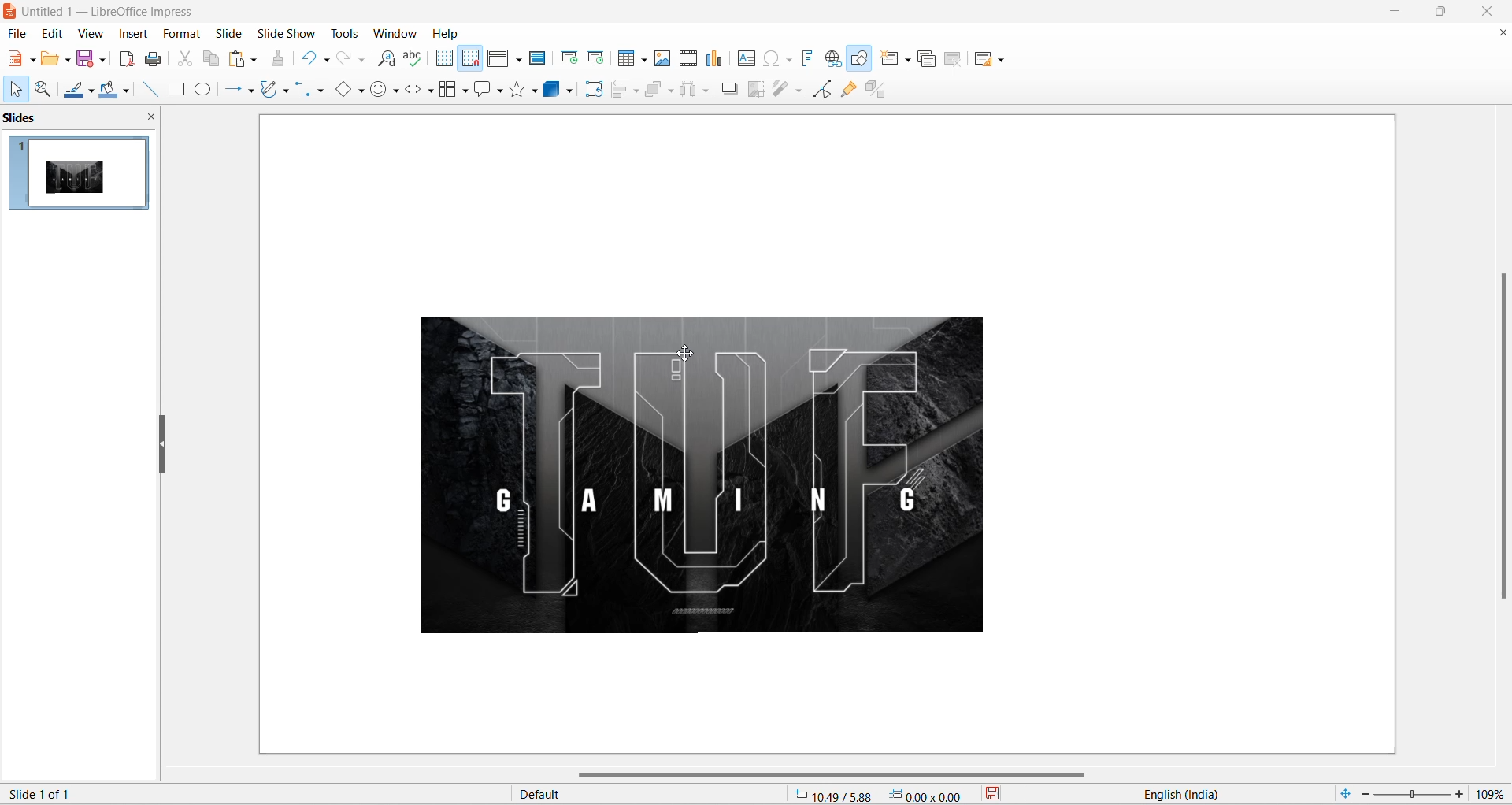 This screenshot has height=805, width=1512. Describe the element at coordinates (1447, 14) in the screenshot. I see `maximize` at that location.